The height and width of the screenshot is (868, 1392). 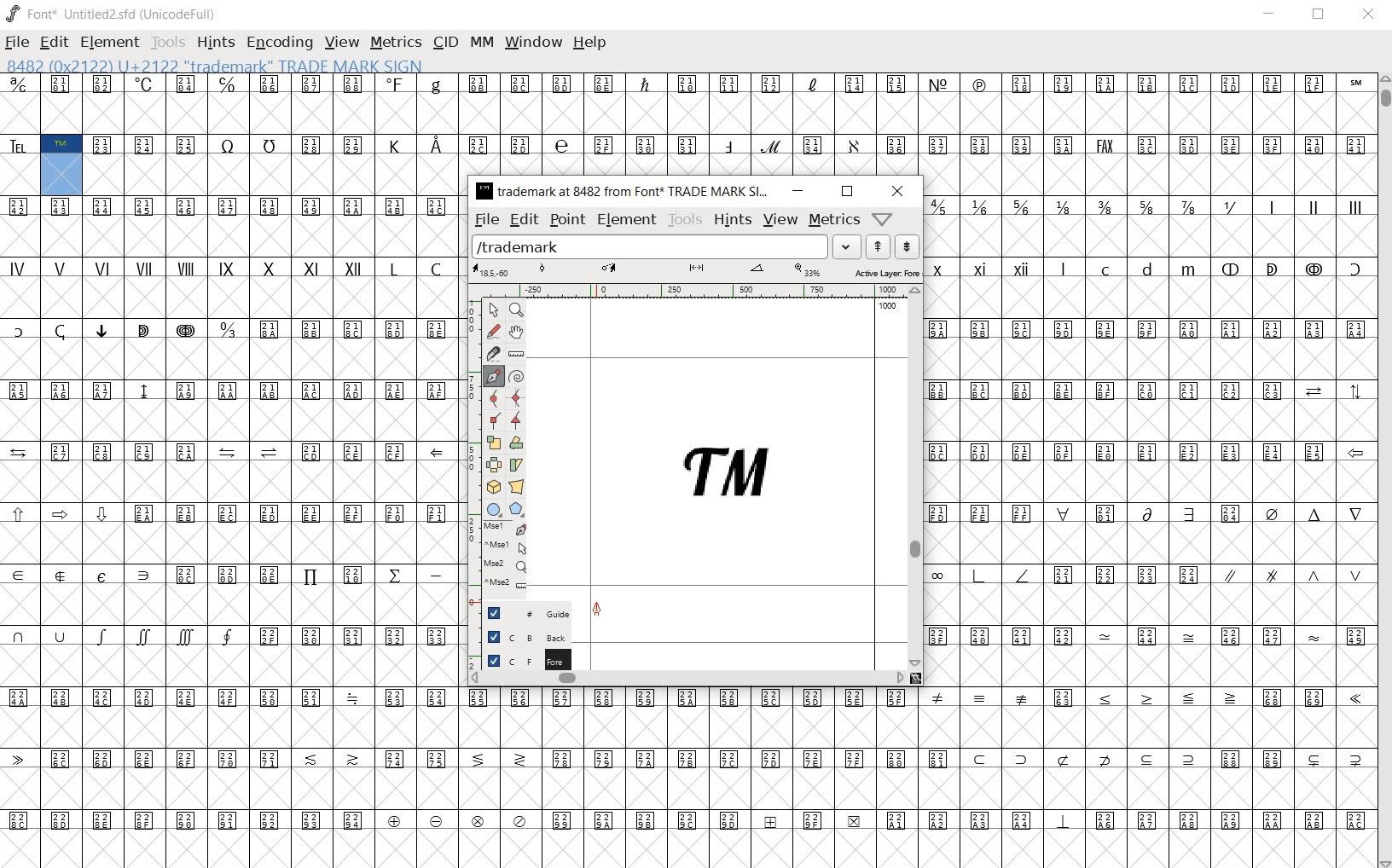 What do you see at coordinates (1085, 223) in the screenshot?
I see `mathematical fractions` at bounding box center [1085, 223].